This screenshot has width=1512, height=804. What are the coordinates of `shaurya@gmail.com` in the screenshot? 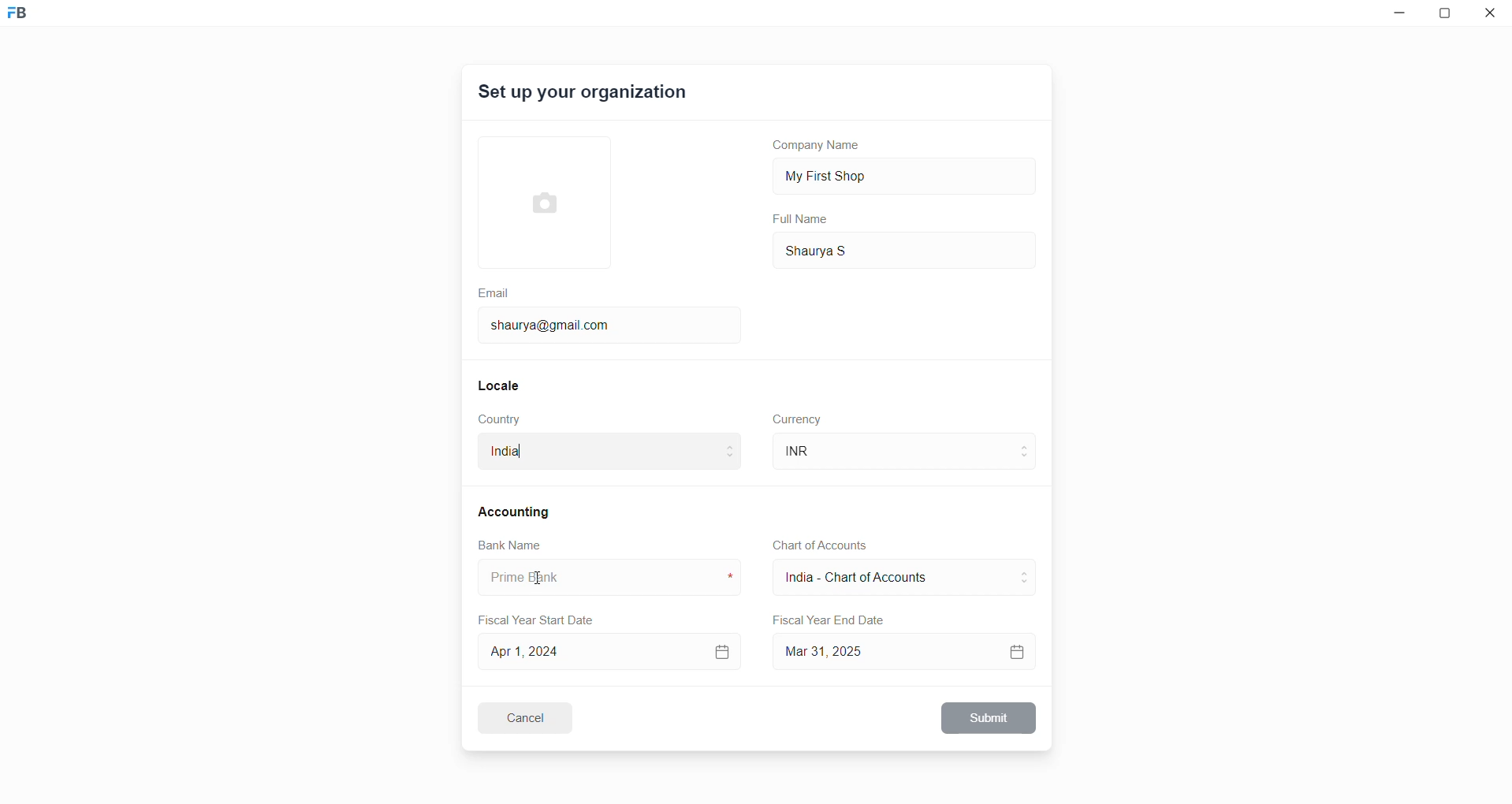 It's located at (556, 323).